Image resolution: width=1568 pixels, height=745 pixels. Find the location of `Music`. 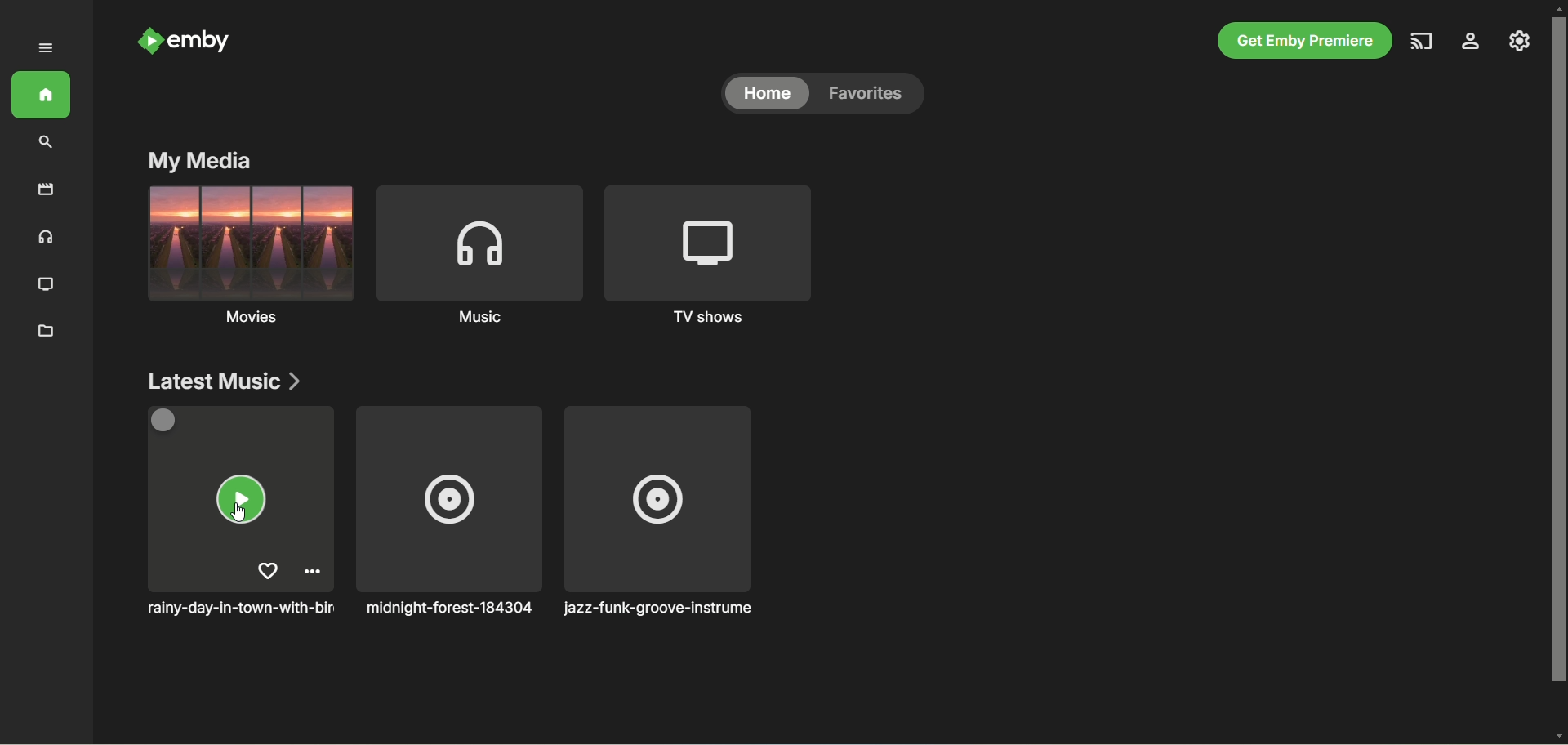

Music is located at coordinates (251, 257).